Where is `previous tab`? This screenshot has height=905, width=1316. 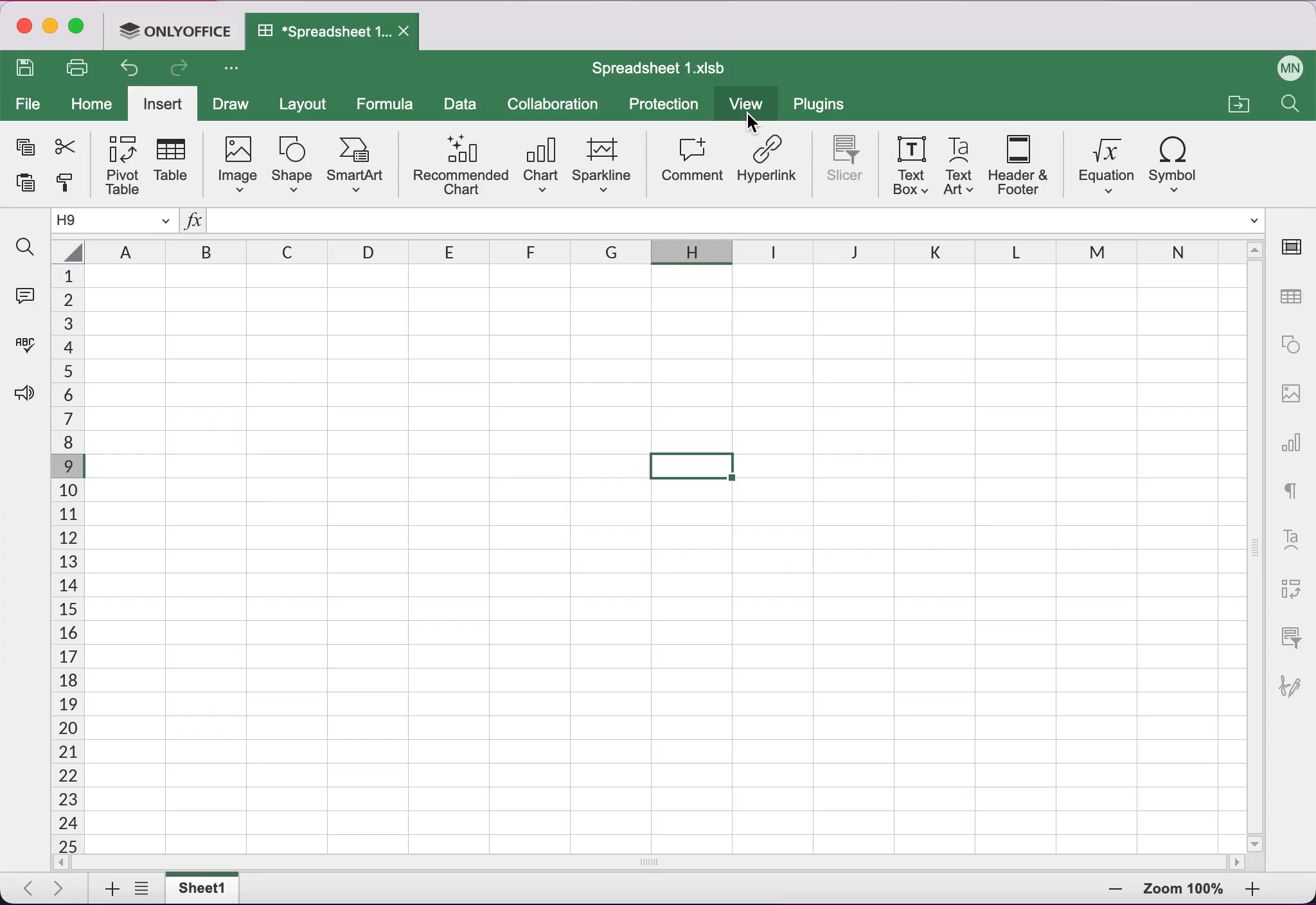 previous tab is located at coordinates (26, 889).